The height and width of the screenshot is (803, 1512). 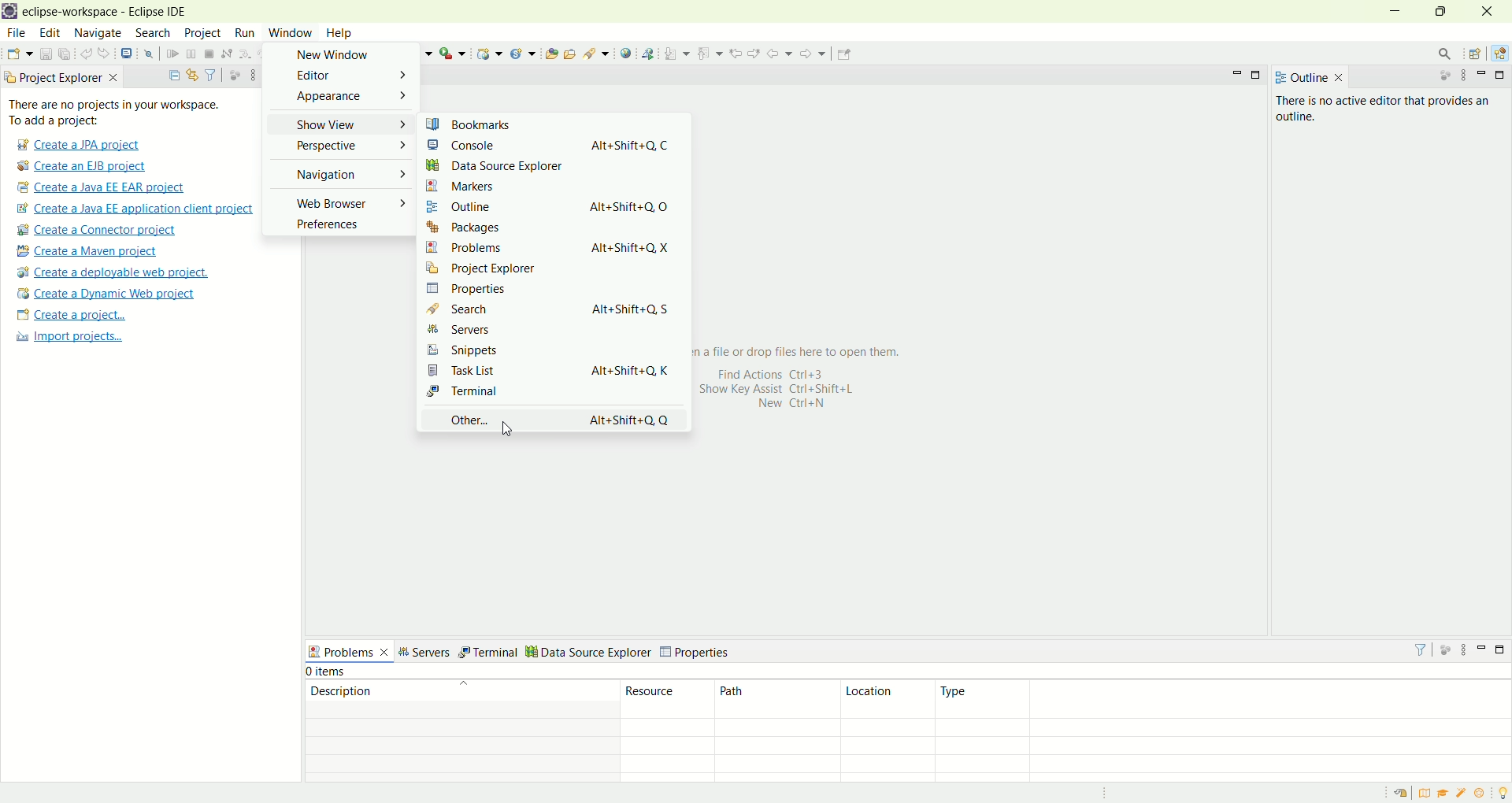 What do you see at coordinates (172, 53) in the screenshot?
I see `resume` at bounding box center [172, 53].